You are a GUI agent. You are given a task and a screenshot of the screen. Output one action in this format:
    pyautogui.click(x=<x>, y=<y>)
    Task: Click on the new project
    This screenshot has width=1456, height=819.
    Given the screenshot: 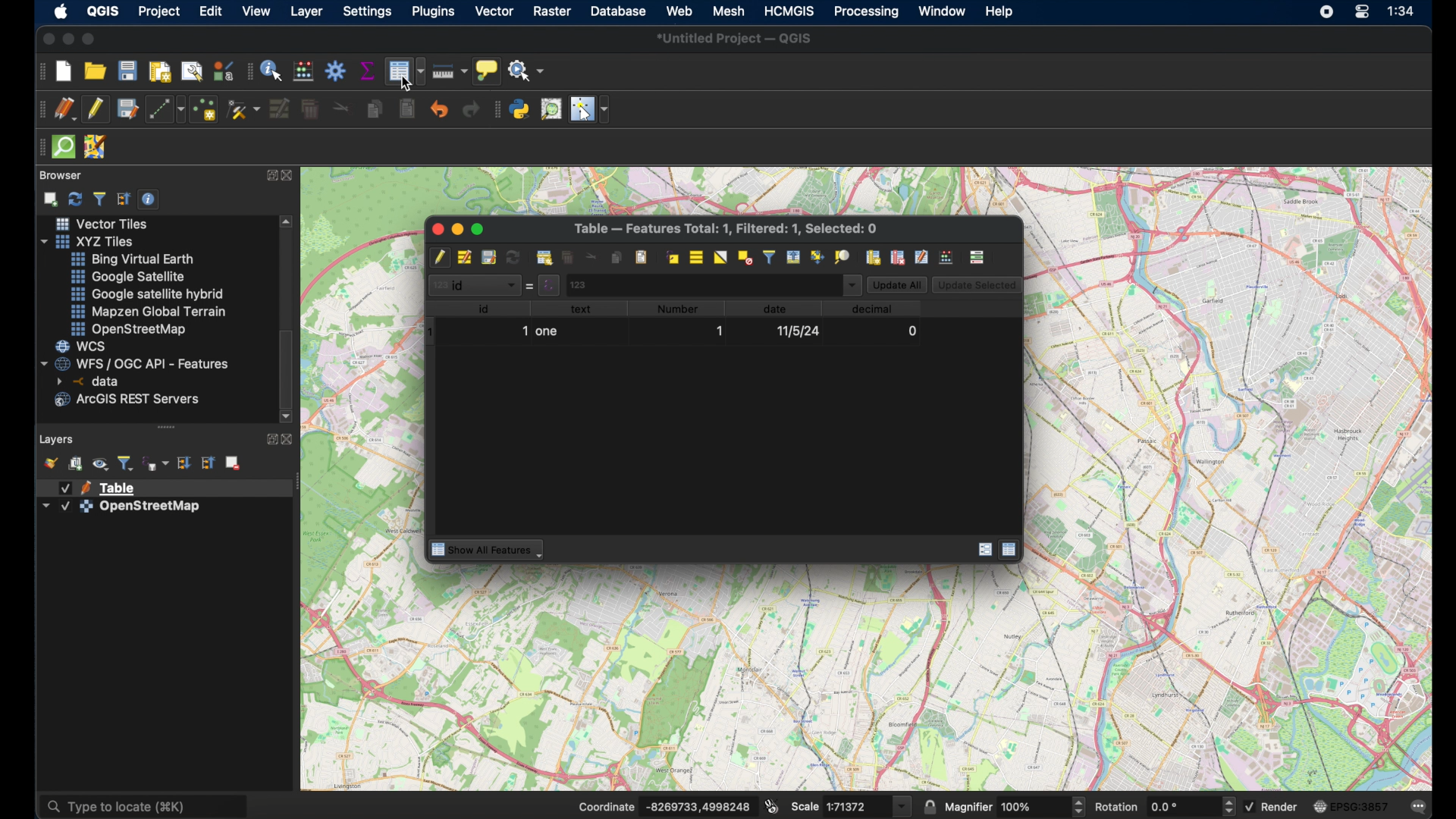 What is the action you would take?
    pyautogui.click(x=63, y=72)
    